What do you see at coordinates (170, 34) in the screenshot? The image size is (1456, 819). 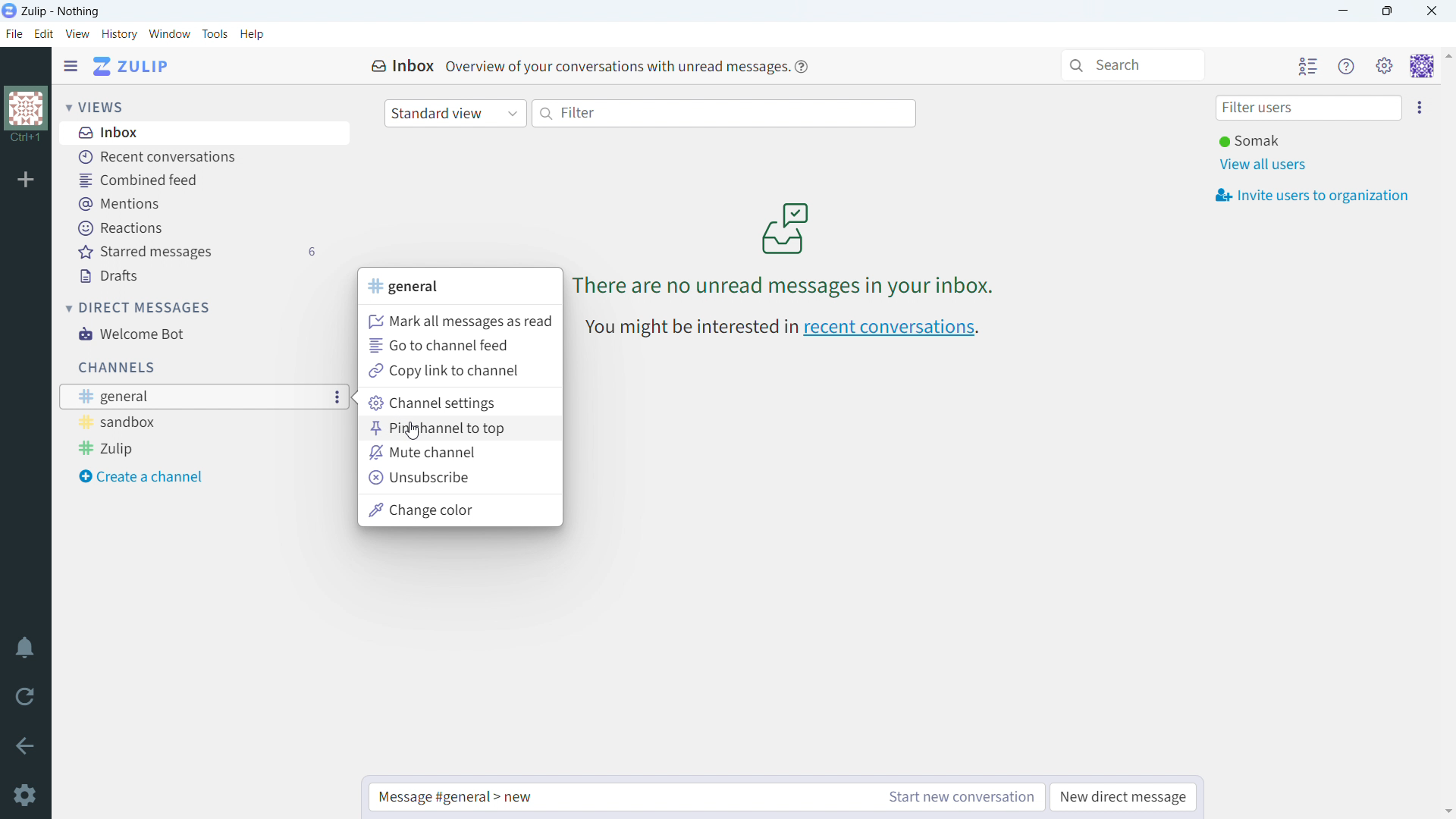 I see `window` at bounding box center [170, 34].